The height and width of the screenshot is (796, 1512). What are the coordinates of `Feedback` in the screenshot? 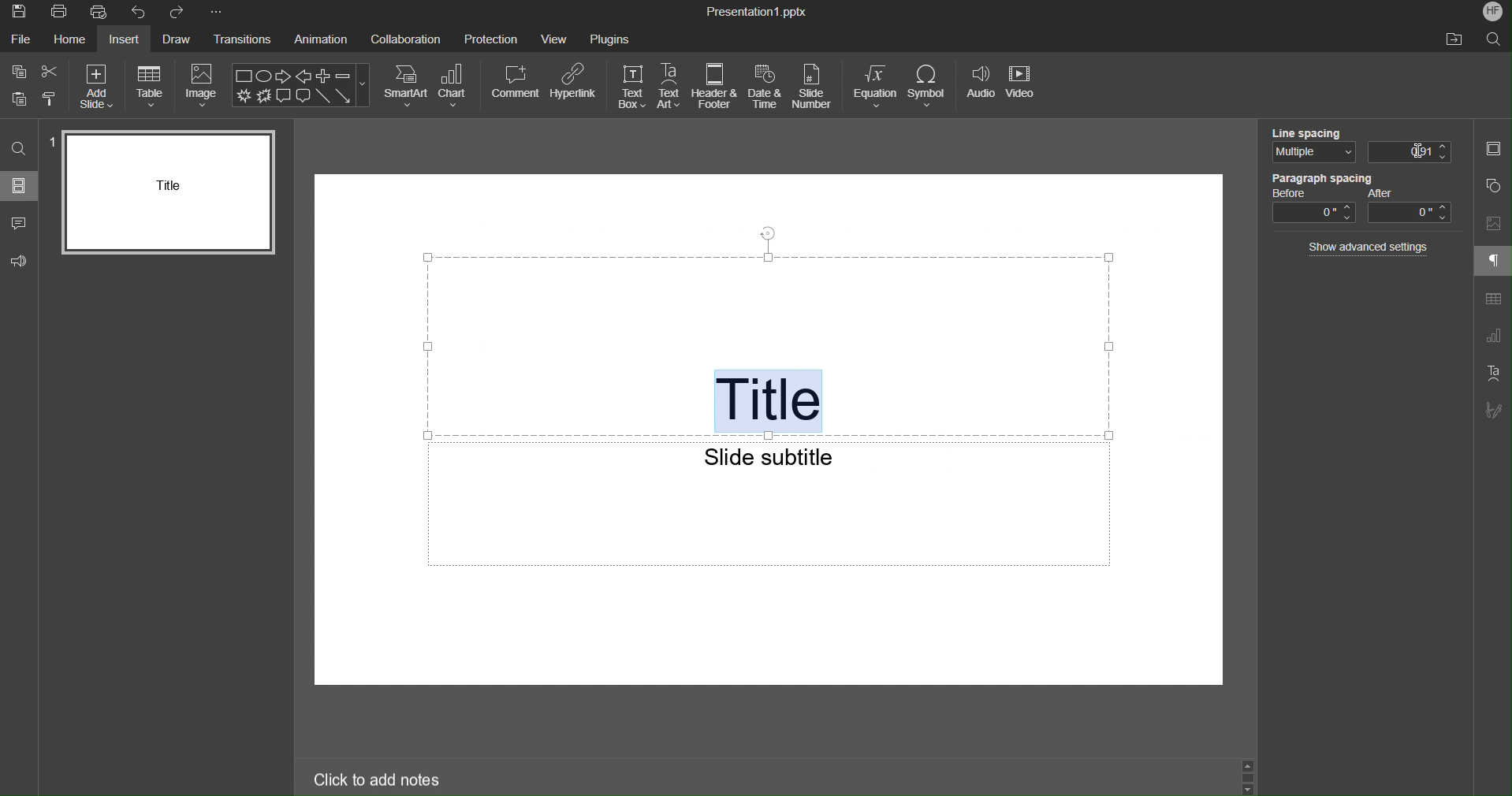 It's located at (19, 261).